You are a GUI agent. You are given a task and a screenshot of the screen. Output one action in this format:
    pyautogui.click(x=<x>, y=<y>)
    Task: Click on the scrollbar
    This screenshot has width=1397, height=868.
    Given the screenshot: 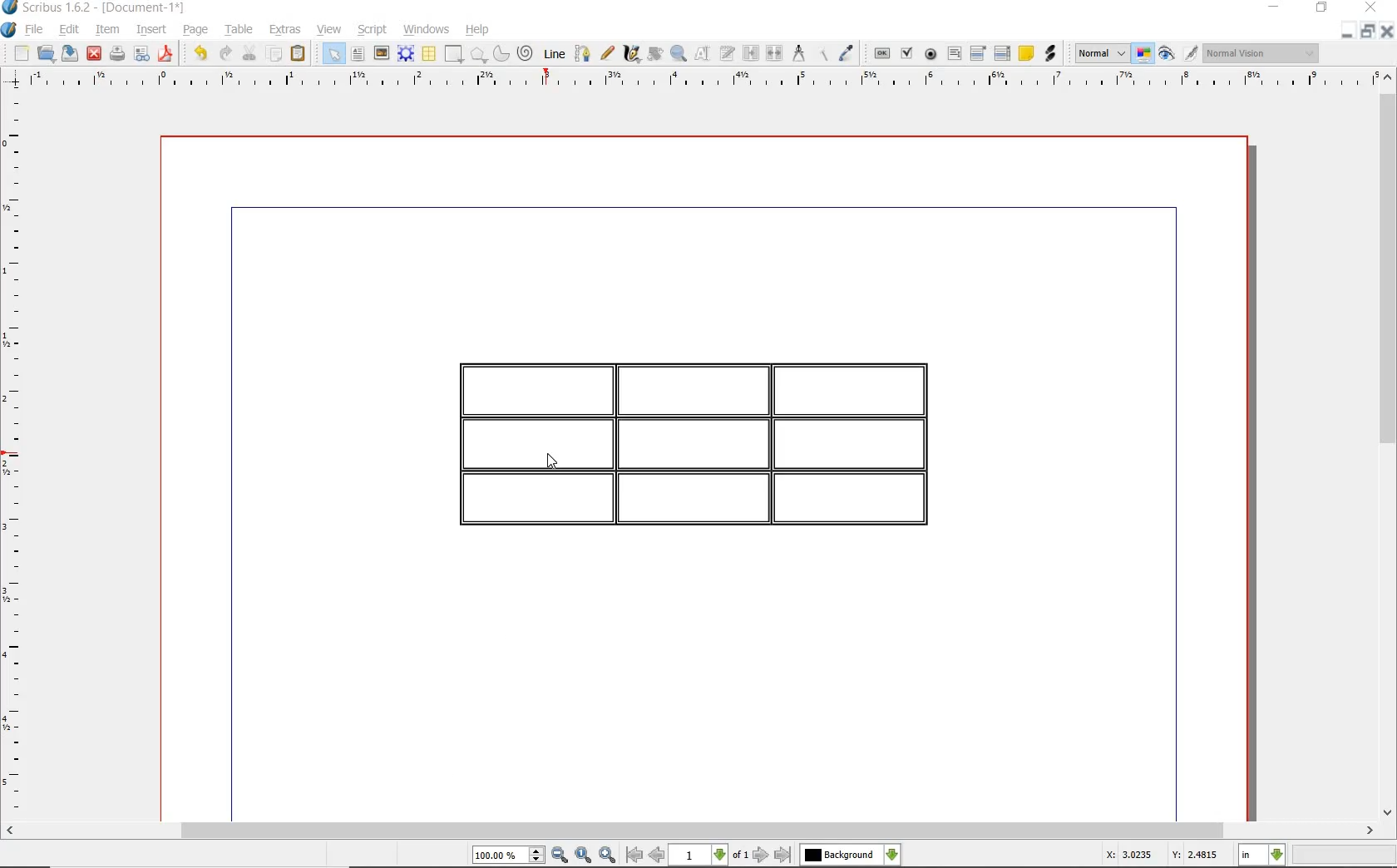 What is the action you would take?
    pyautogui.click(x=1389, y=442)
    